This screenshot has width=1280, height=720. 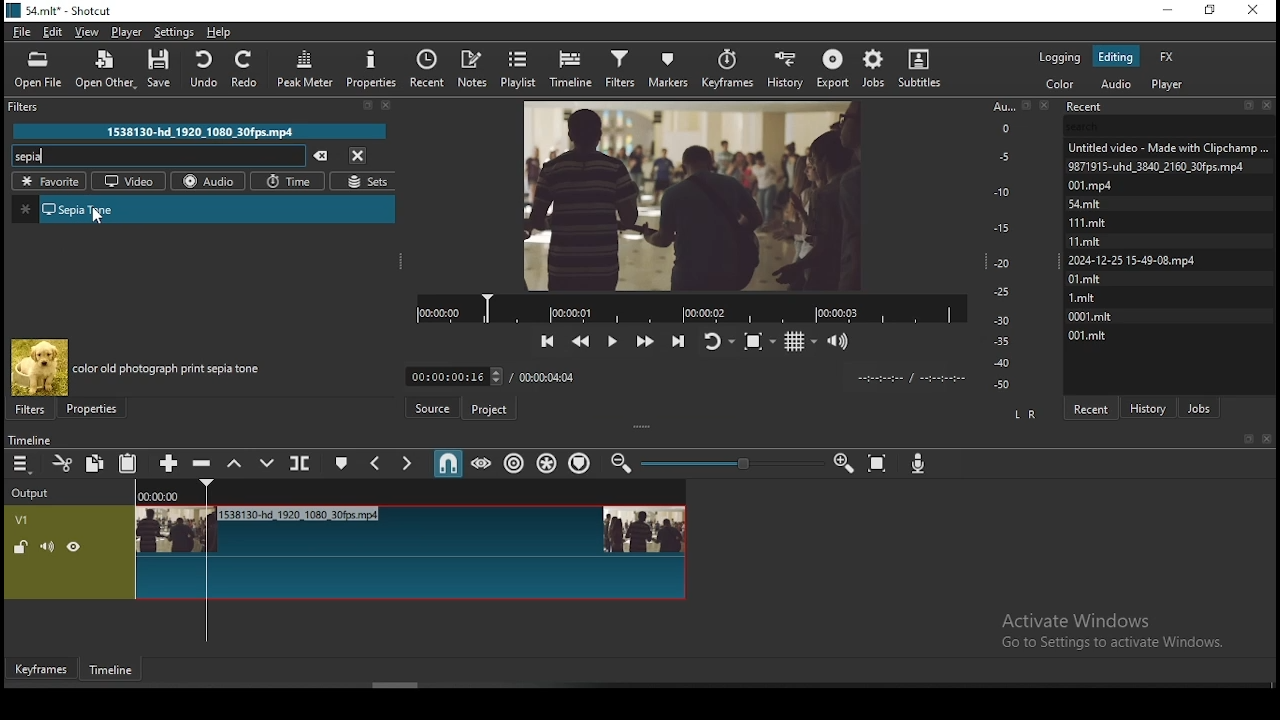 What do you see at coordinates (156, 497) in the screenshot?
I see `00:00:00` at bounding box center [156, 497].